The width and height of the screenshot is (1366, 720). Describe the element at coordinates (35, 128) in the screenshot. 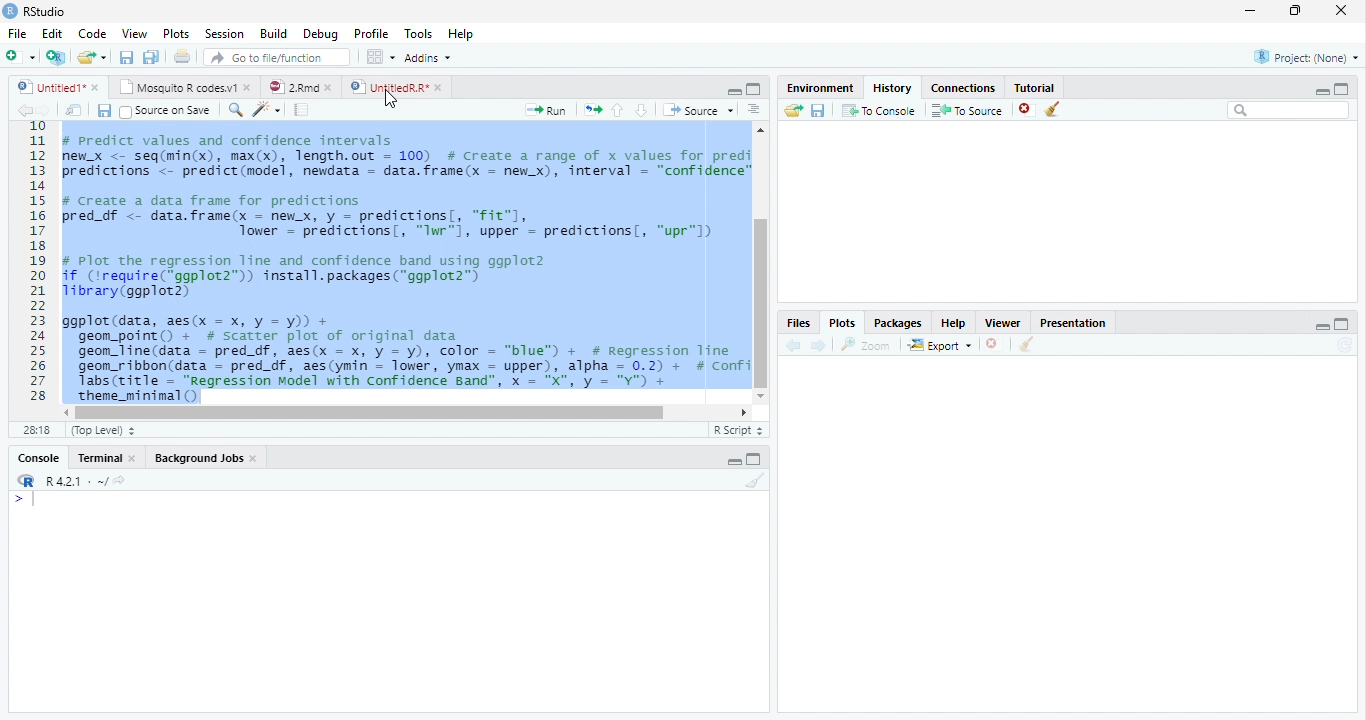

I see `1` at that location.